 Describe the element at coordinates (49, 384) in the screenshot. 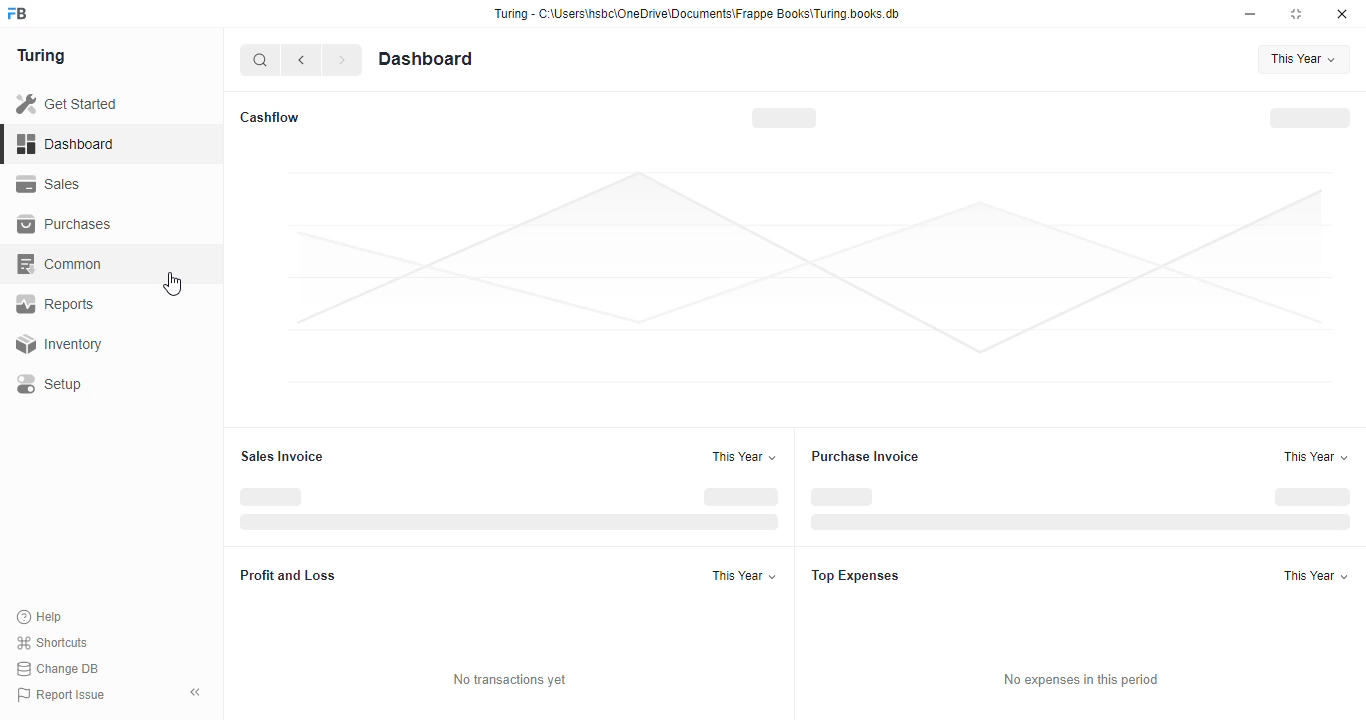

I see `setup` at that location.